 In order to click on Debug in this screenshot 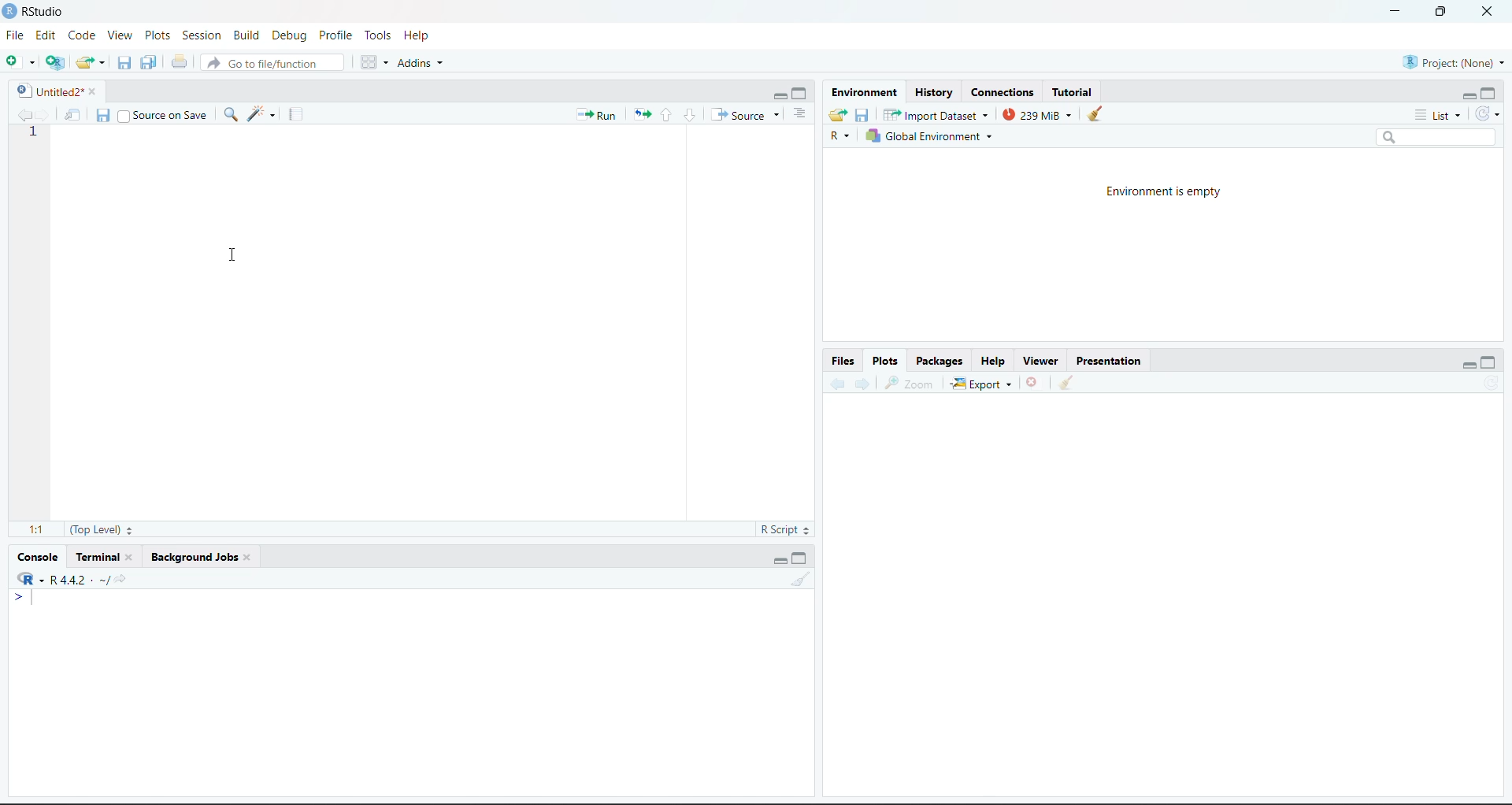, I will do `click(291, 35)`.